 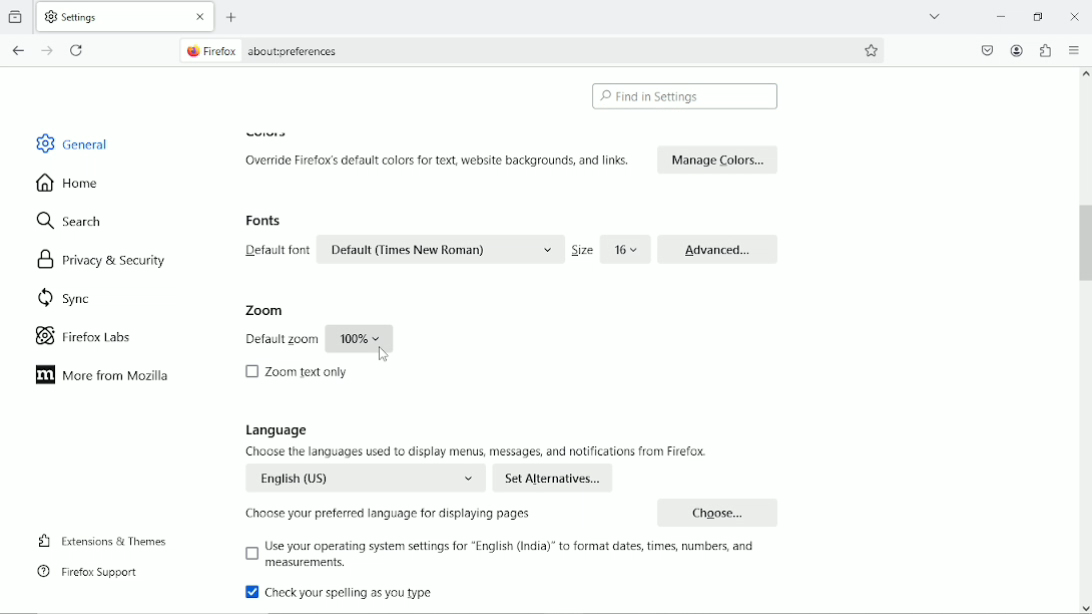 What do you see at coordinates (100, 260) in the screenshot?
I see `Privacy & Security` at bounding box center [100, 260].